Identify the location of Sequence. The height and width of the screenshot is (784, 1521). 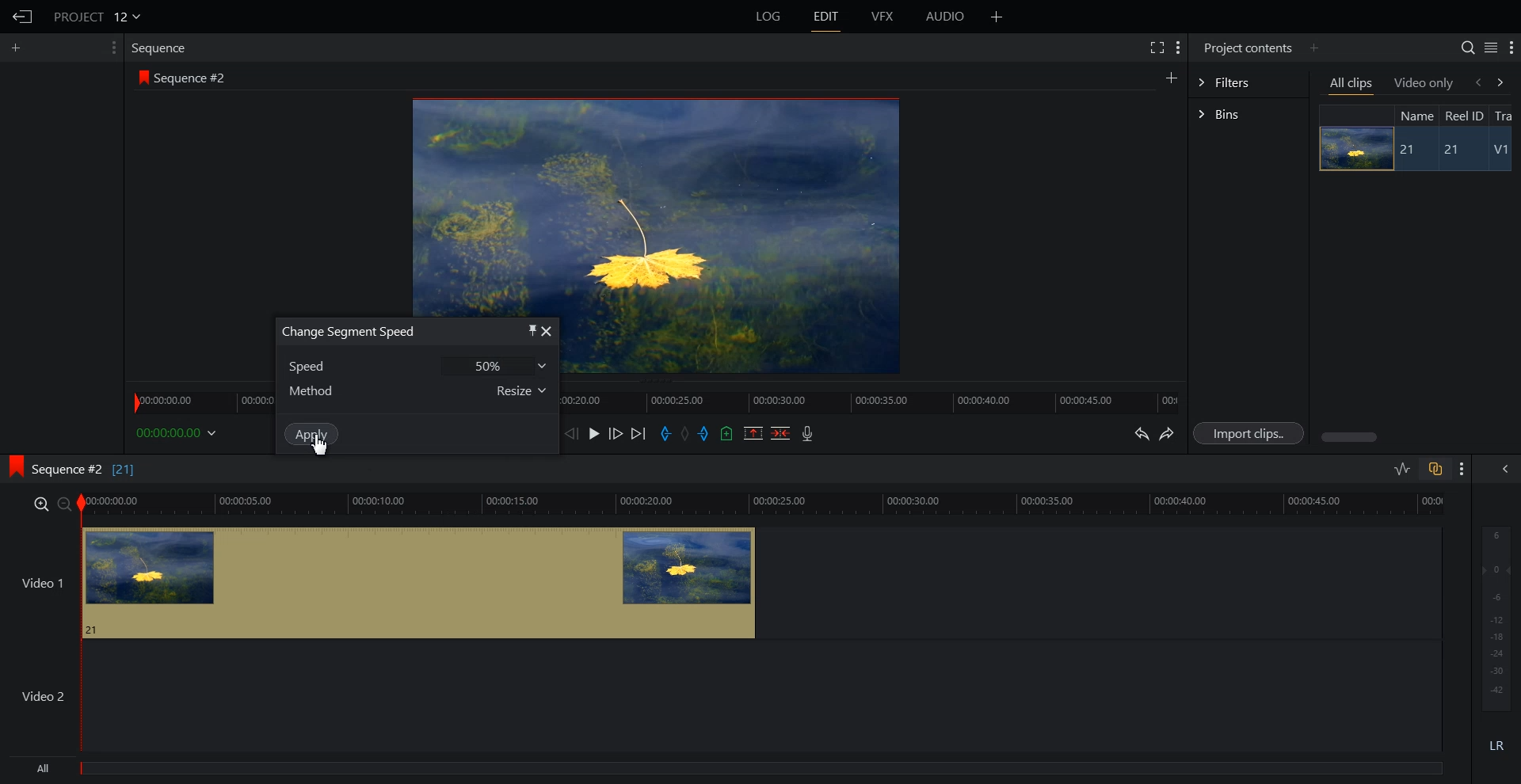
(162, 48).